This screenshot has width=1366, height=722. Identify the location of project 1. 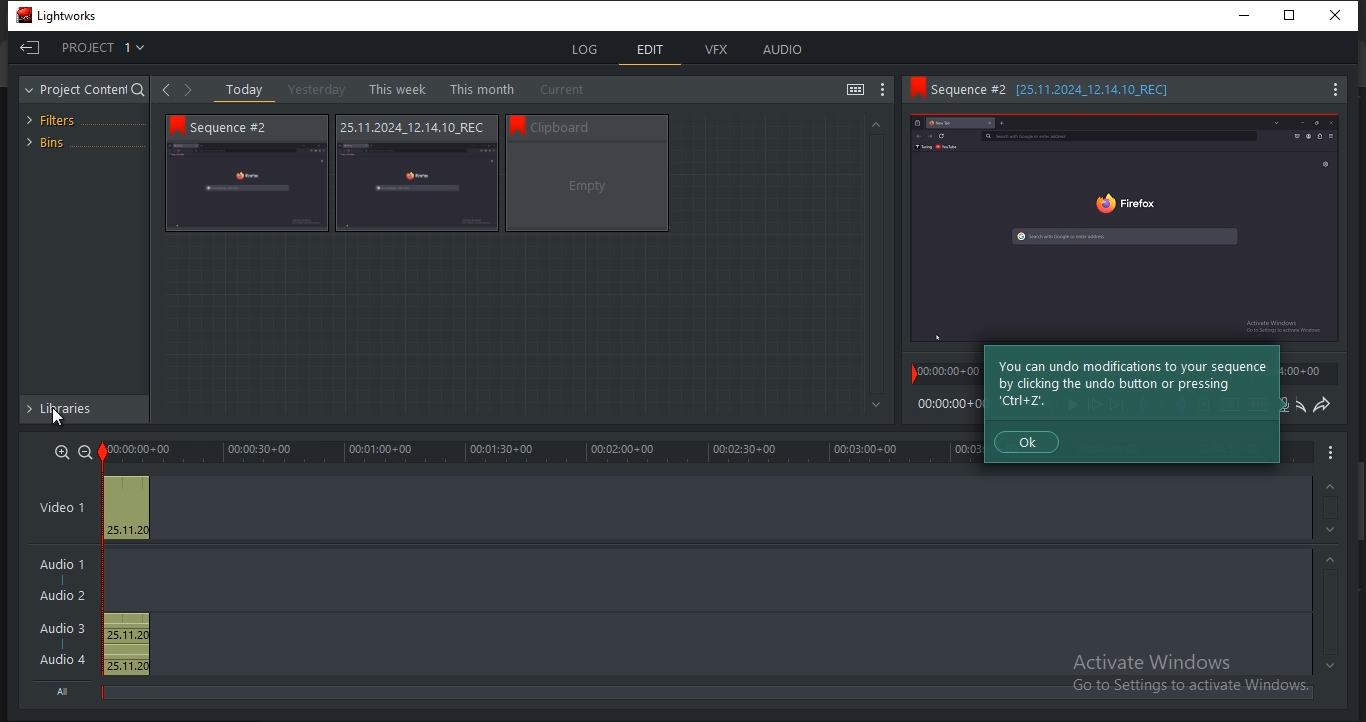
(90, 49).